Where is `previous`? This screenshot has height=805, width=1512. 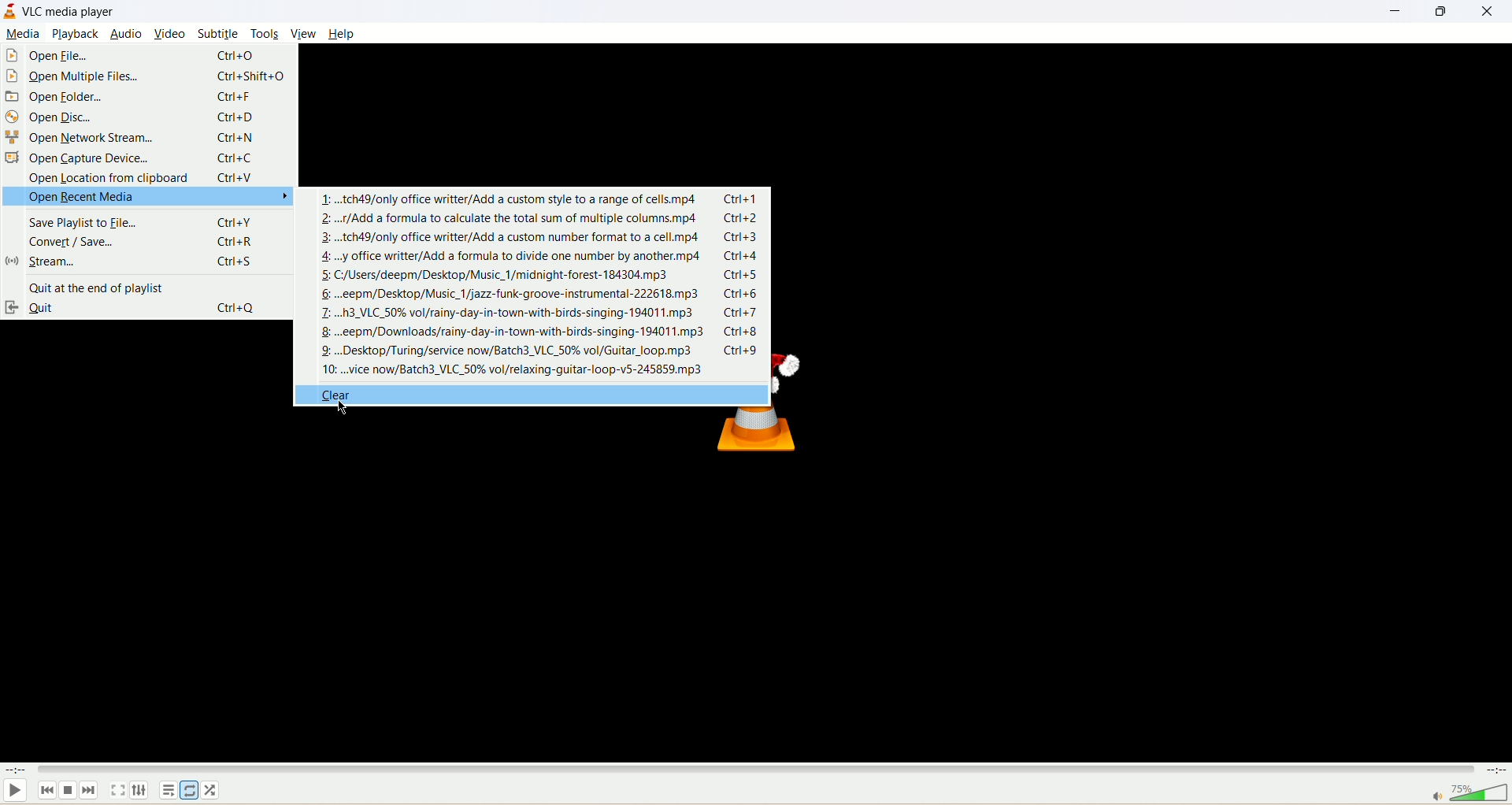 previous is located at coordinates (45, 792).